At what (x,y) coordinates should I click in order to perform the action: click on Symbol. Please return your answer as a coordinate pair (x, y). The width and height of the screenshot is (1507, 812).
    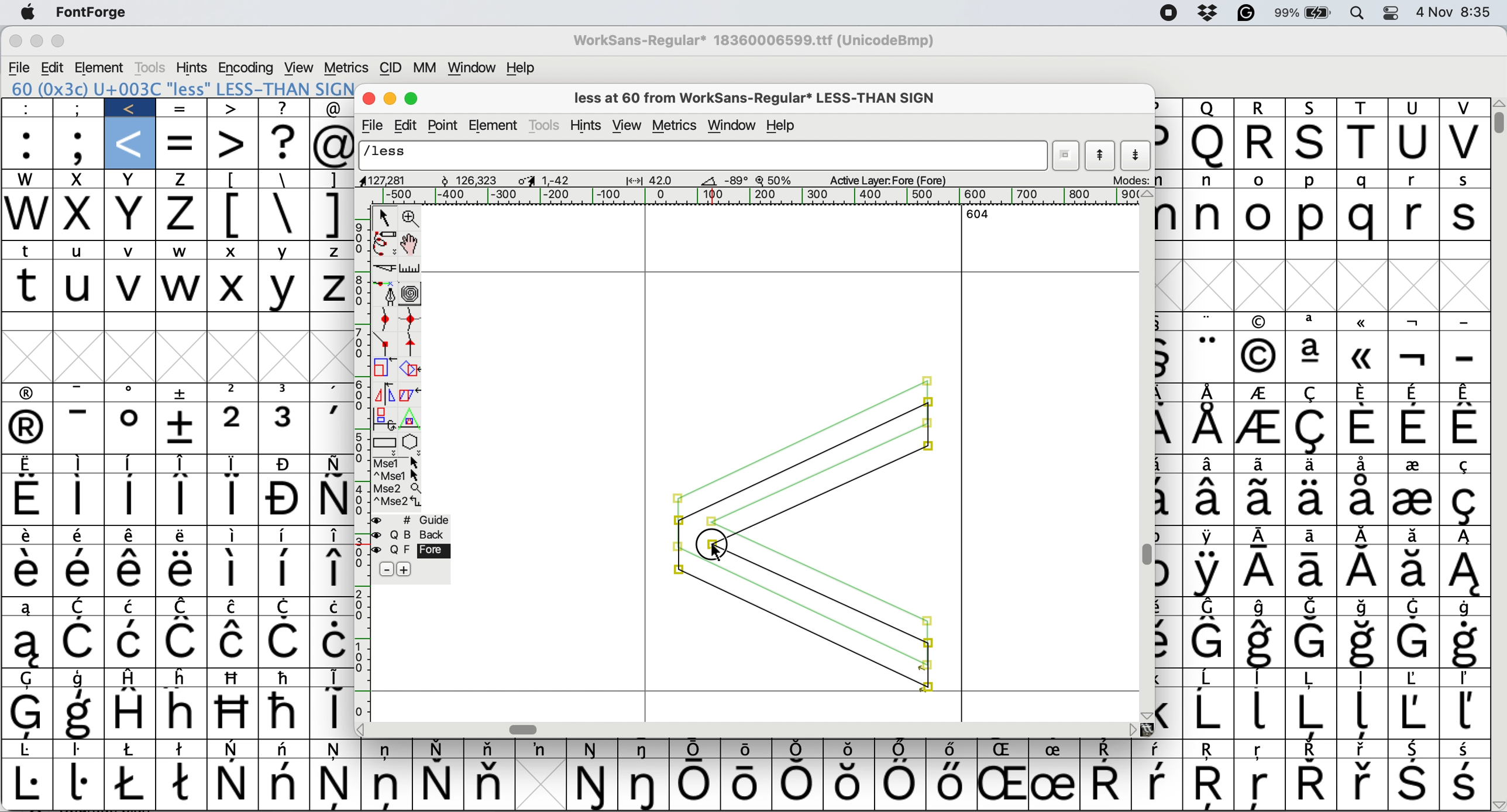
    Looking at the image, I should click on (131, 642).